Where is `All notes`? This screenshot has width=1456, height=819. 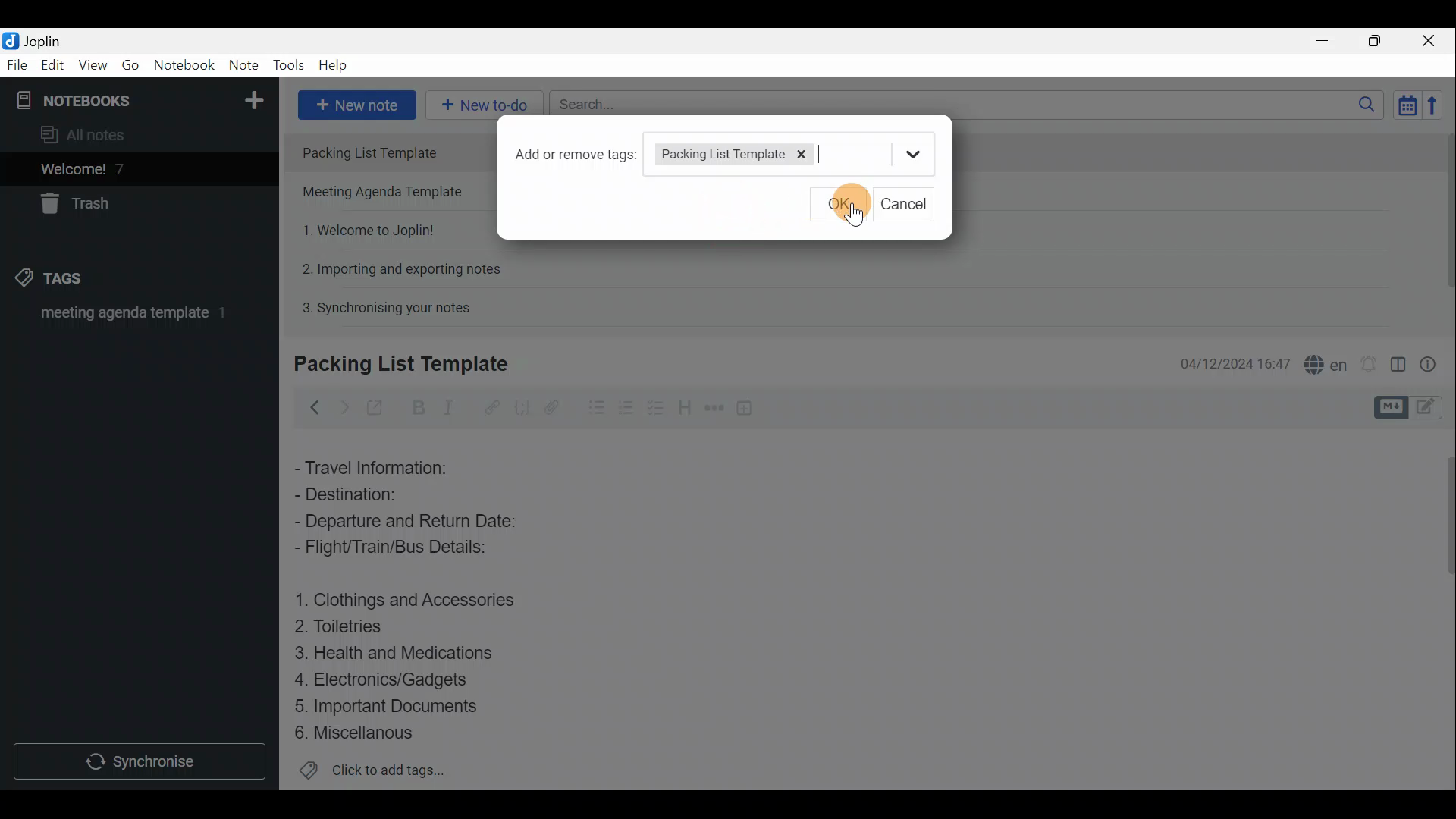 All notes is located at coordinates (88, 134).